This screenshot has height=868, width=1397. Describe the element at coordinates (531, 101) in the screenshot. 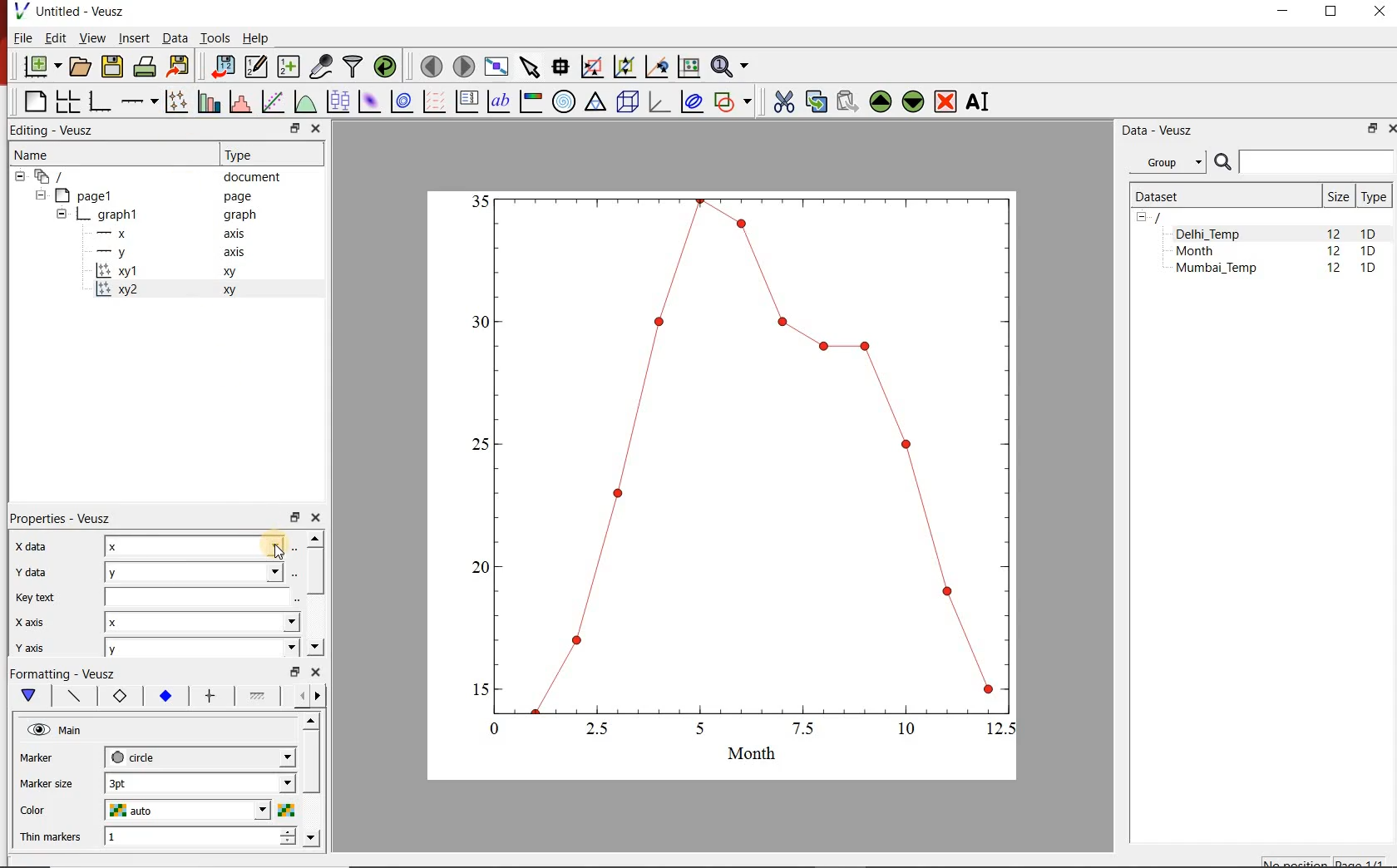

I see `image color bar` at that location.